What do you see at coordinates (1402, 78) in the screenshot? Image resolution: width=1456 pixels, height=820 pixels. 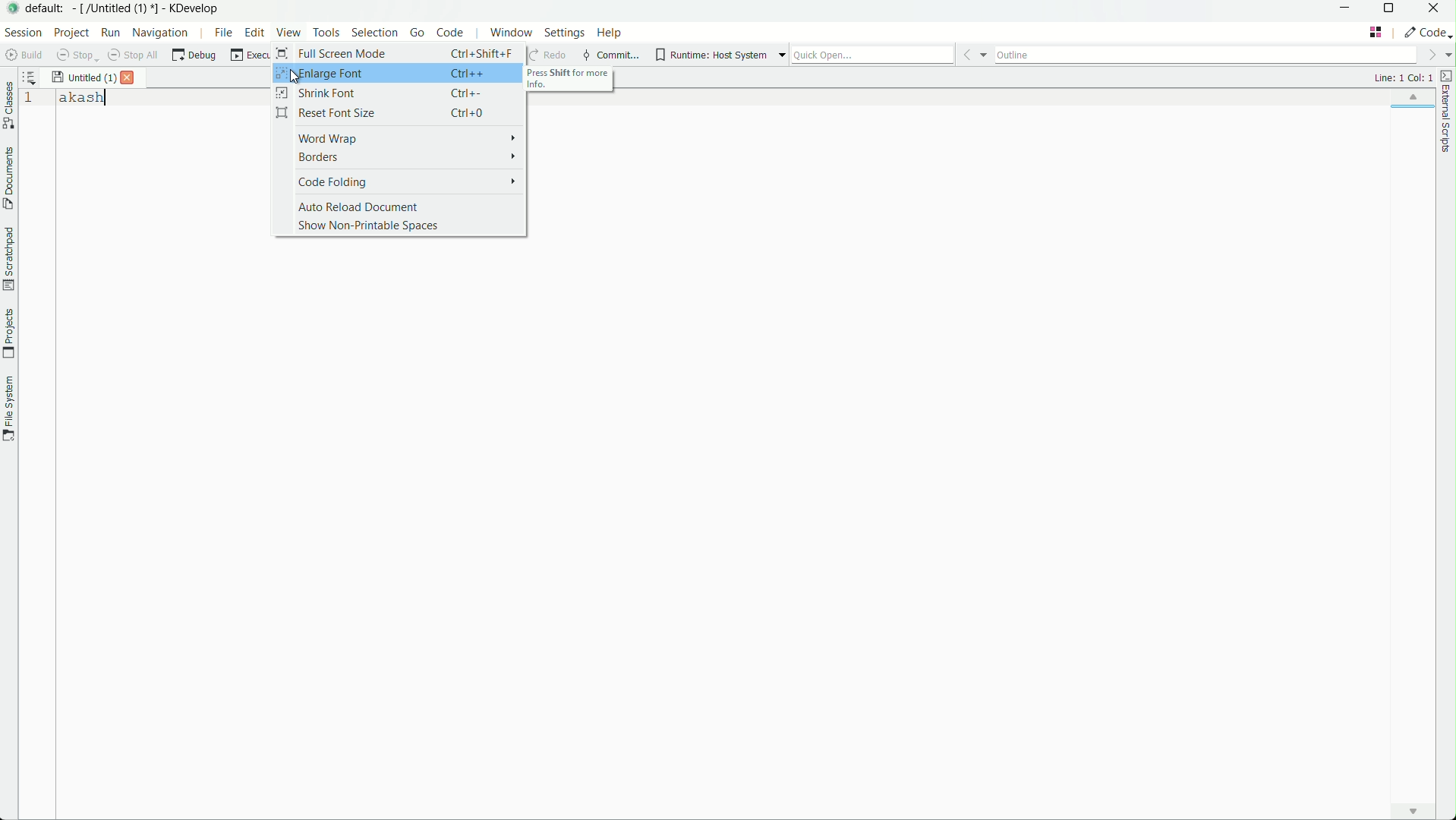 I see `line: 1 col: 1` at bounding box center [1402, 78].